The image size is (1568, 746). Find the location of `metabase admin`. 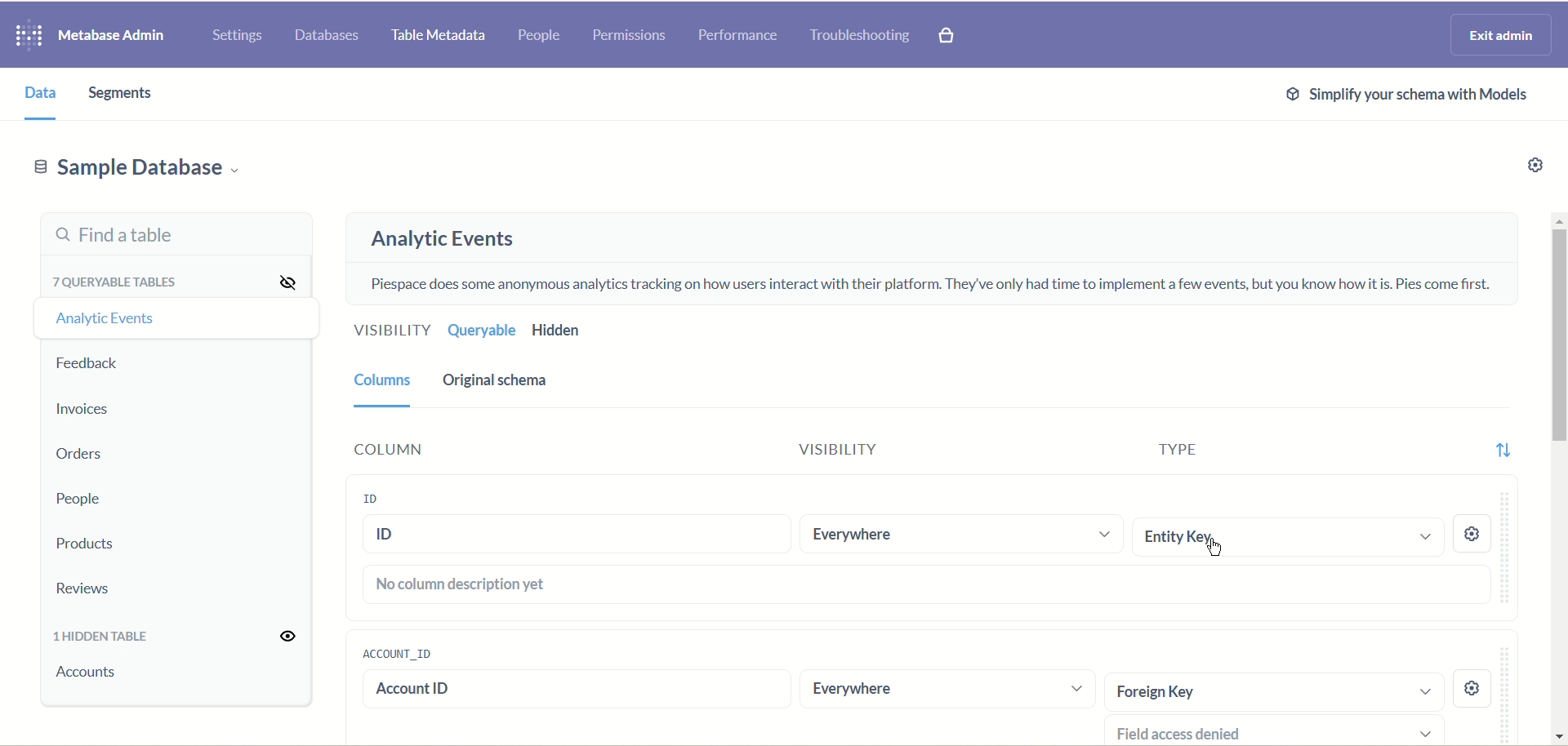

metabase admin is located at coordinates (110, 37).